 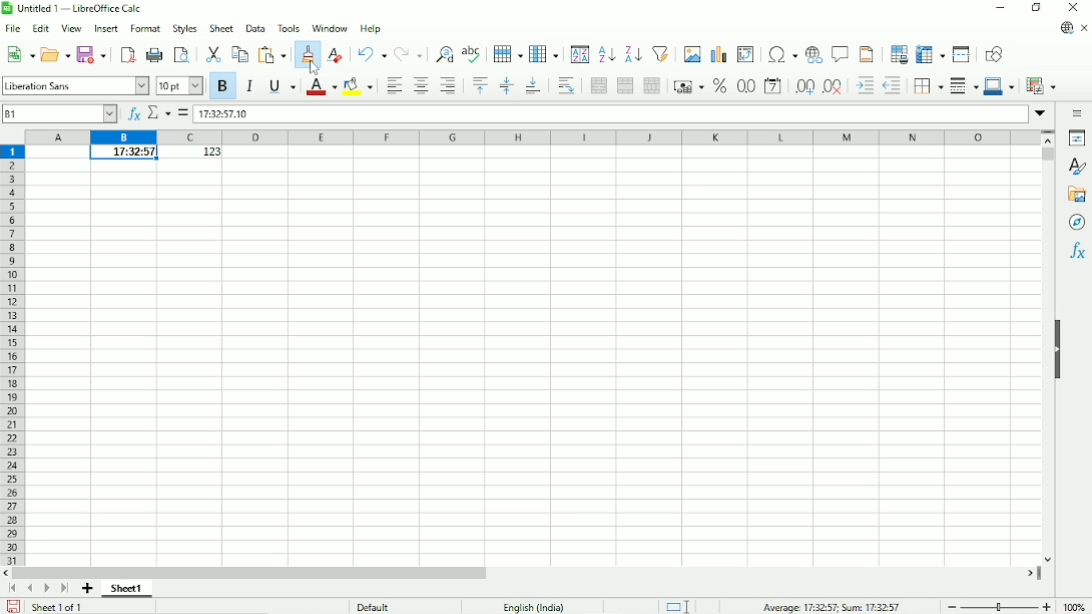 I want to click on Insert, so click(x=105, y=30).